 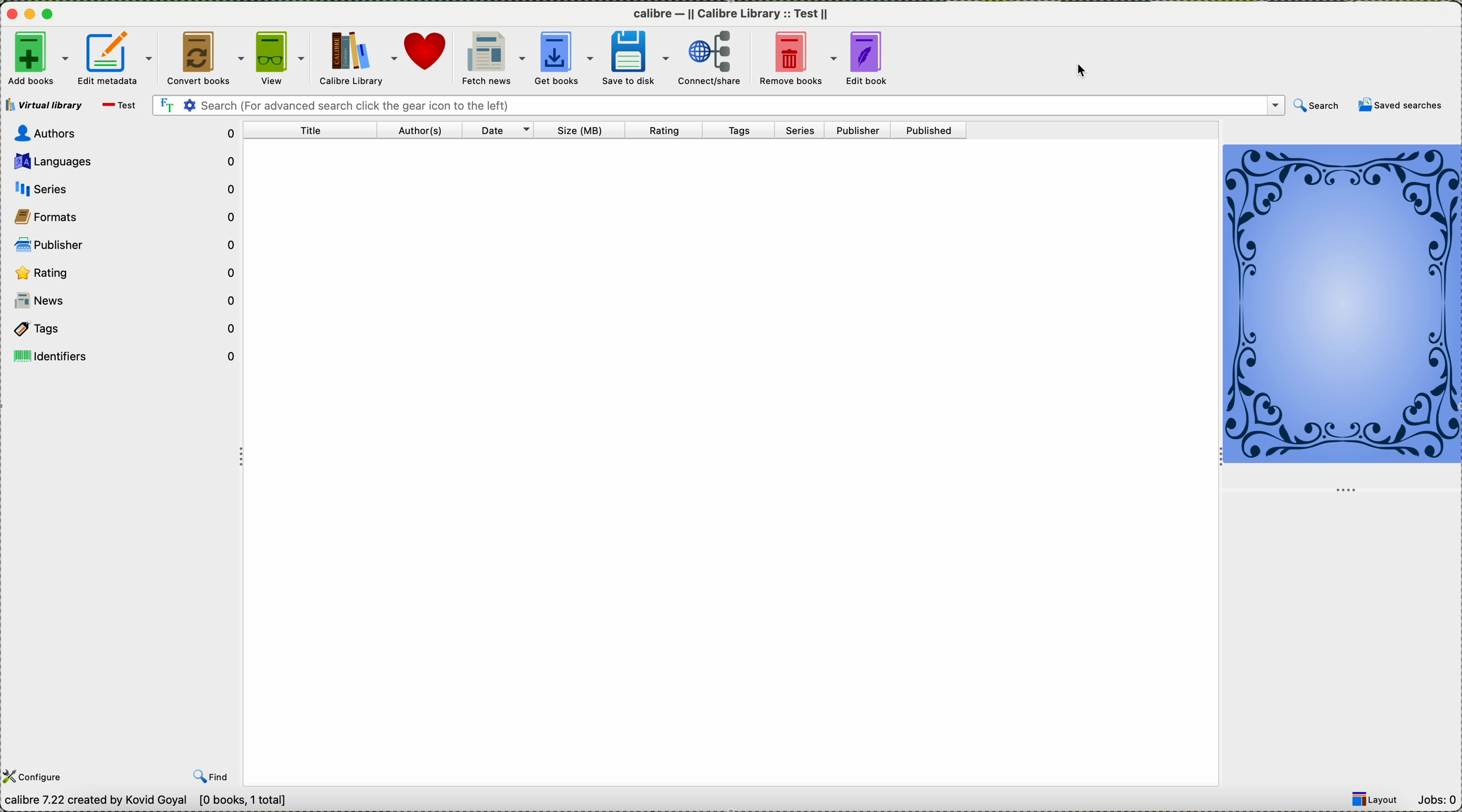 What do you see at coordinates (10, 16) in the screenshot?
I see `close` at bounding box center [10, 16].